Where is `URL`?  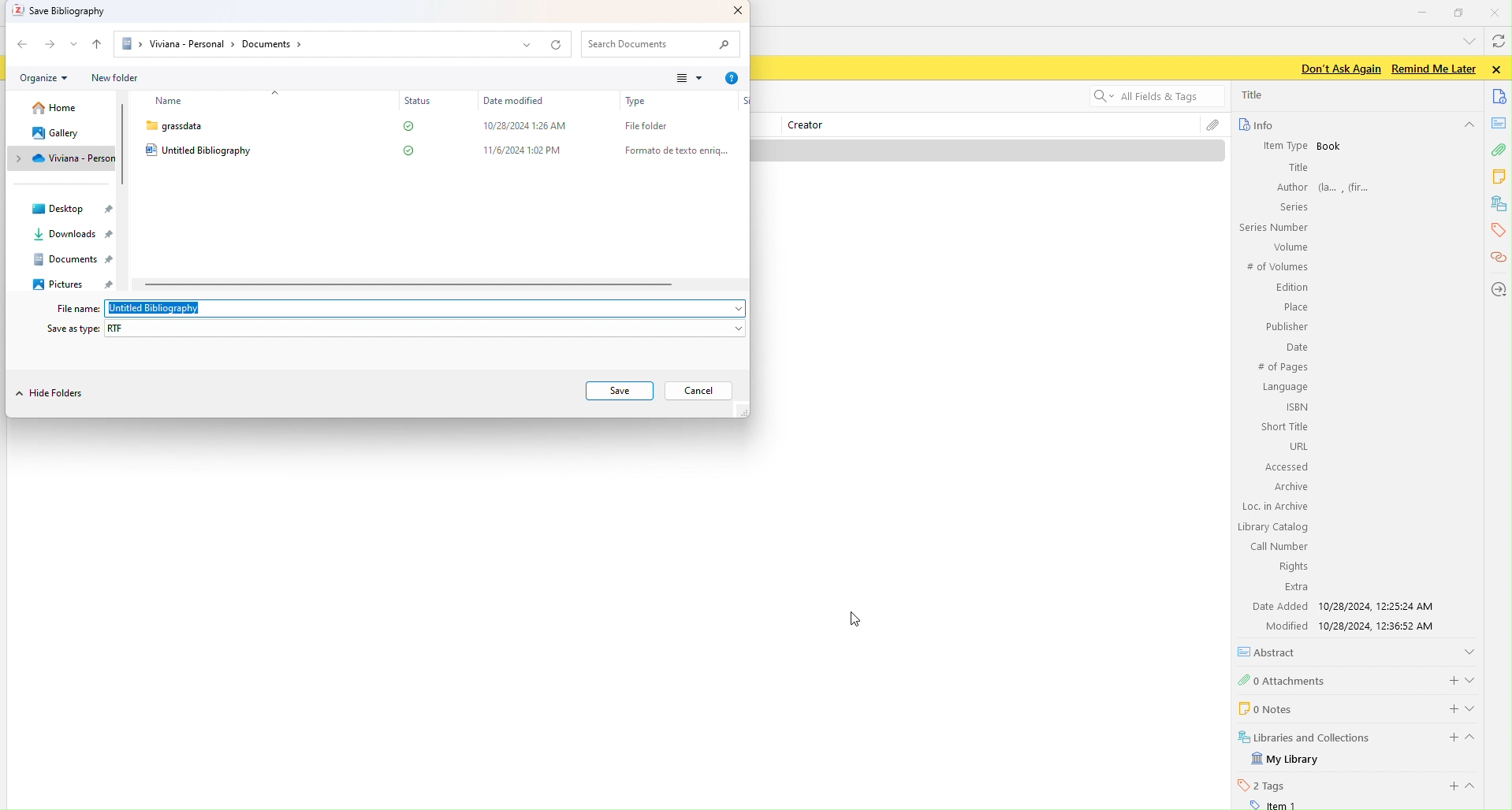 URL is located at coordinates (1297, 446).